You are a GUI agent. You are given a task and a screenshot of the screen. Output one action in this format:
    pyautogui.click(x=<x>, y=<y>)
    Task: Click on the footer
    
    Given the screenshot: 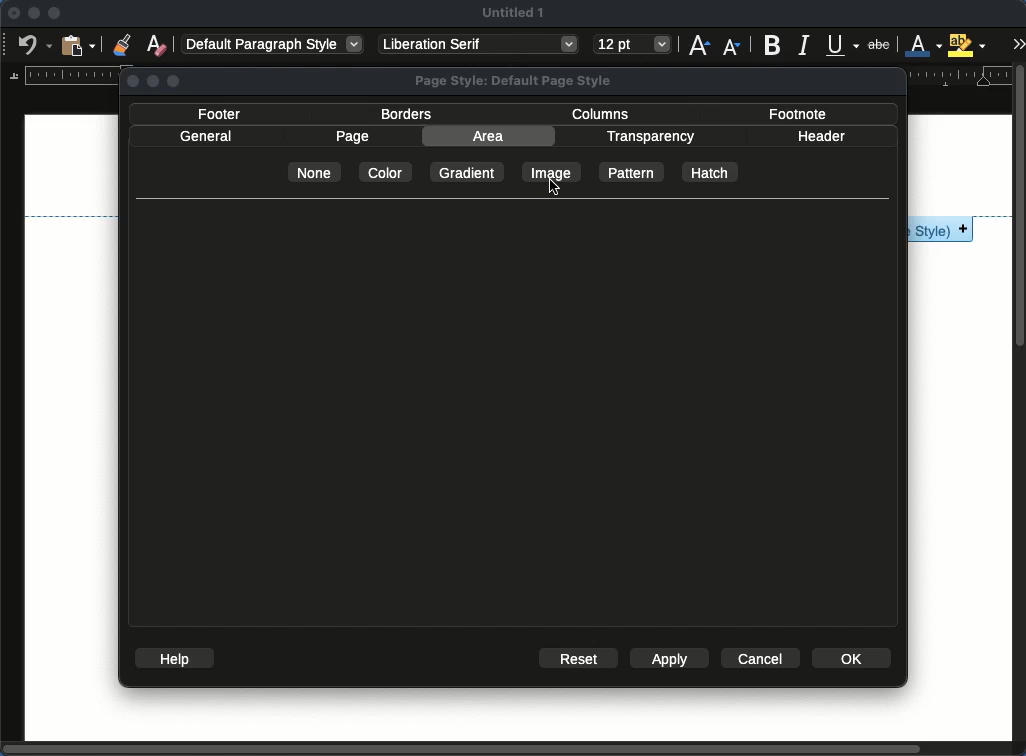 What is the action you would take?
    pyautogui.click(x=222, y=115)
    